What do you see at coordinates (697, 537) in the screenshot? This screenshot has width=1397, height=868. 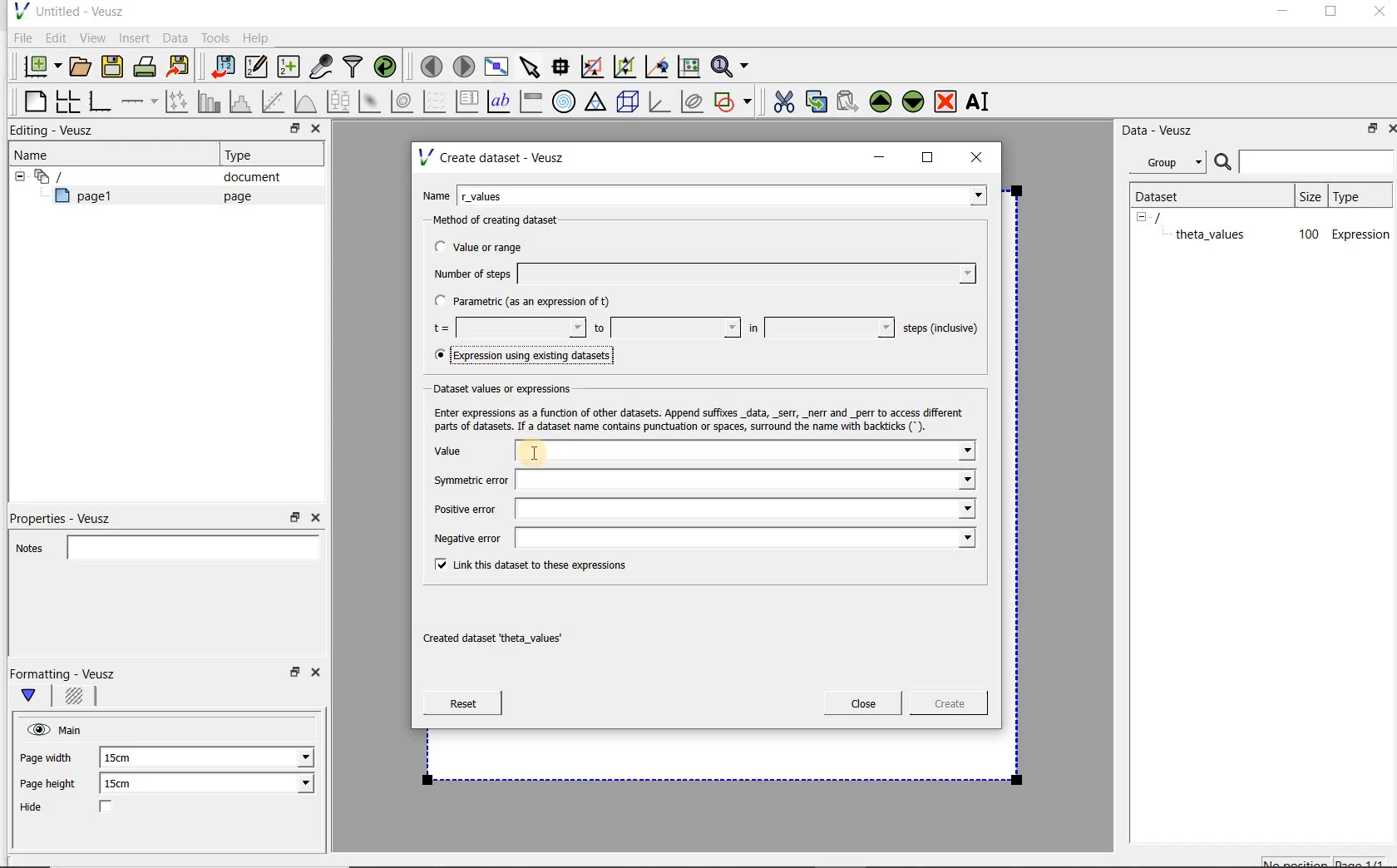 I see `Negative error ` at bounding box center [697, 537].